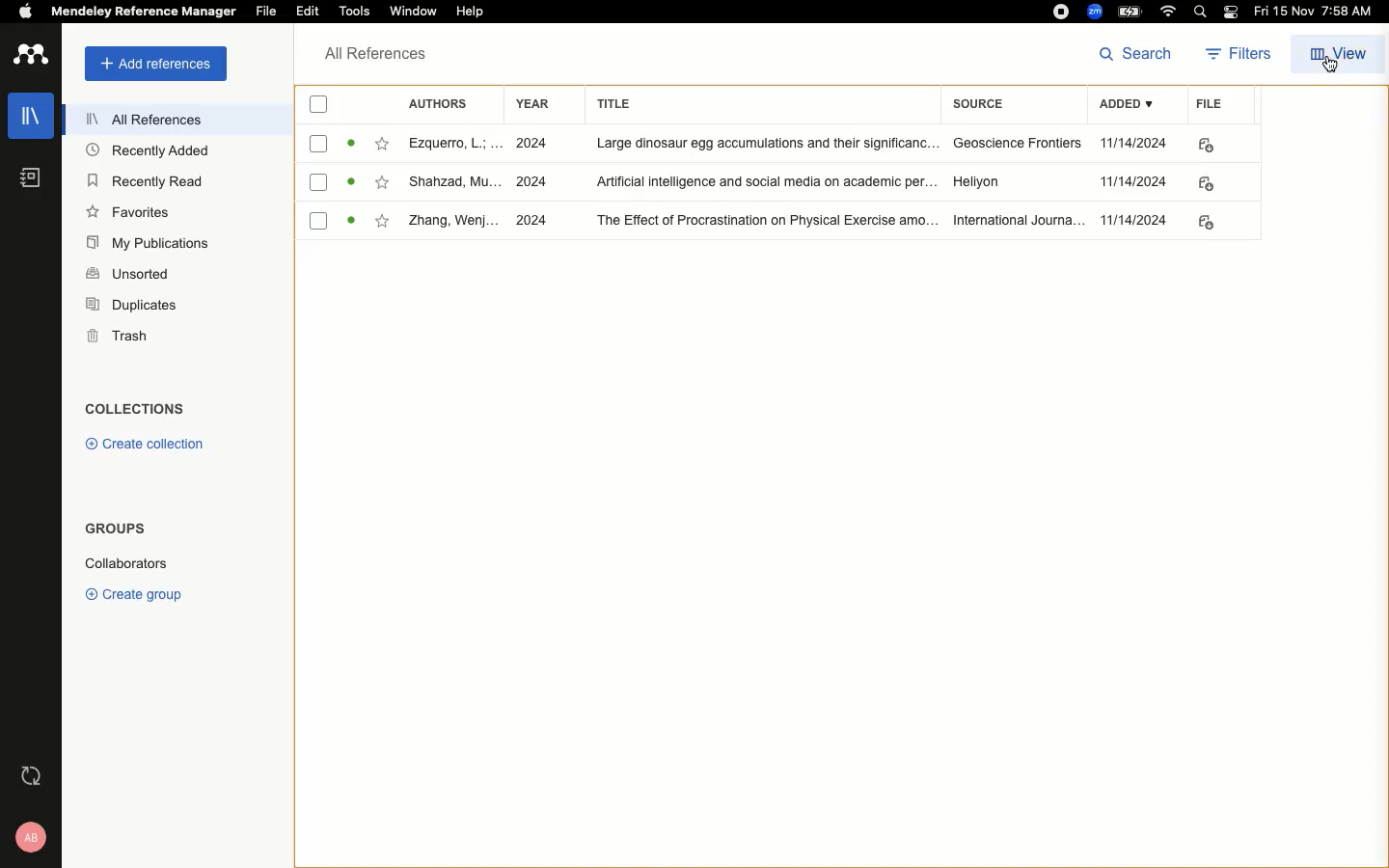  Describe the element at coordinates (1336, 52) in the screenshot. I see `View` at that location.